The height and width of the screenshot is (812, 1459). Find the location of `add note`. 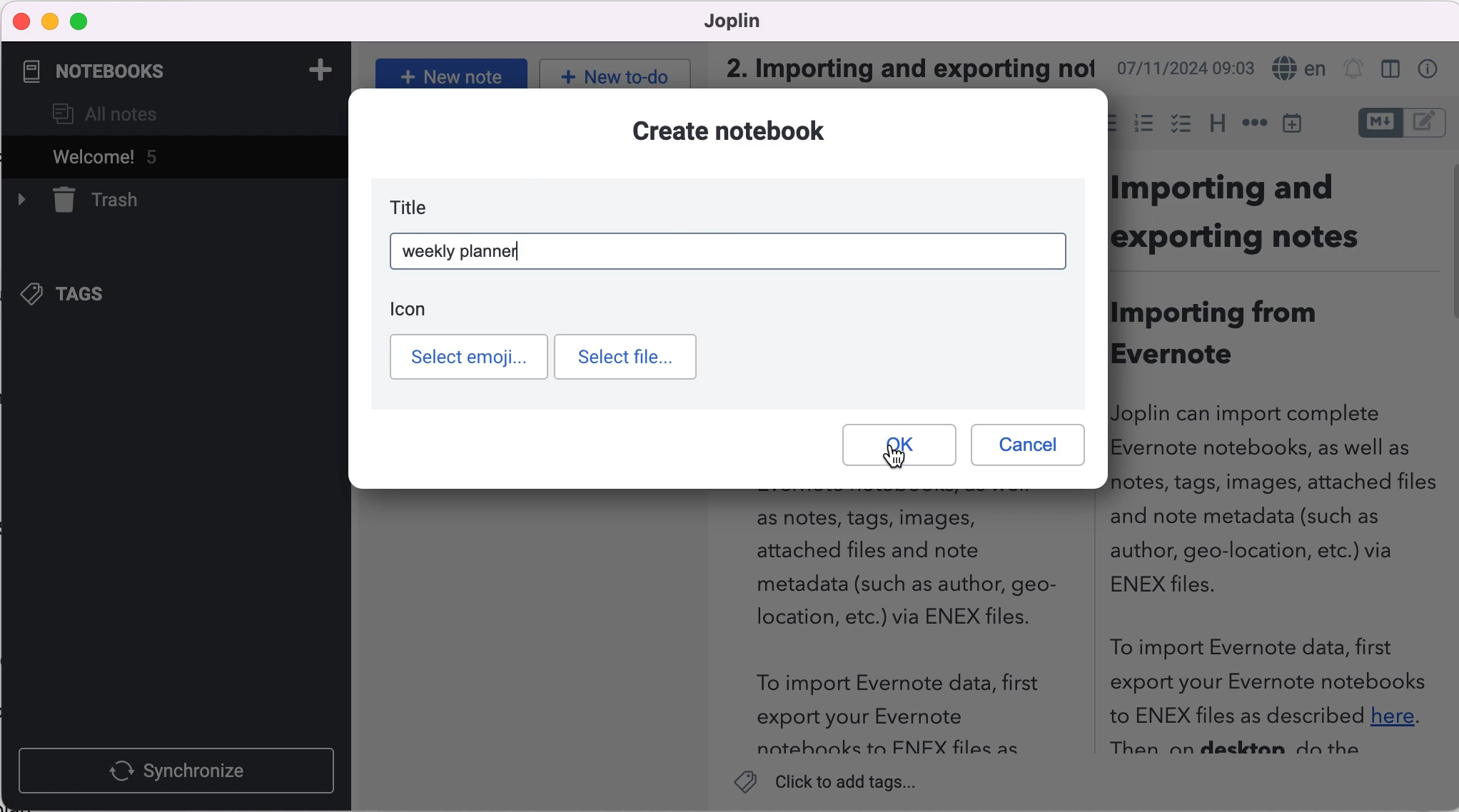

add note is located at coordinates (319, 68).